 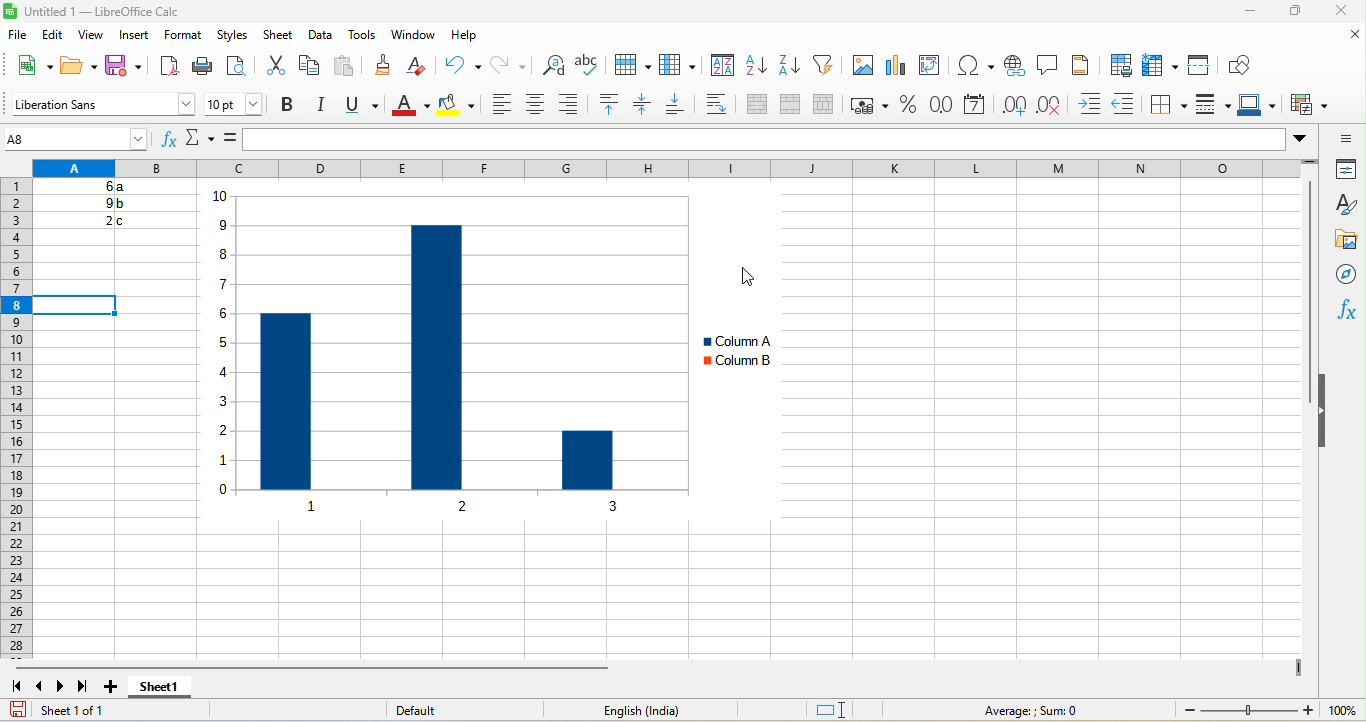 I want to click on italic, so click(x=321, y=107).